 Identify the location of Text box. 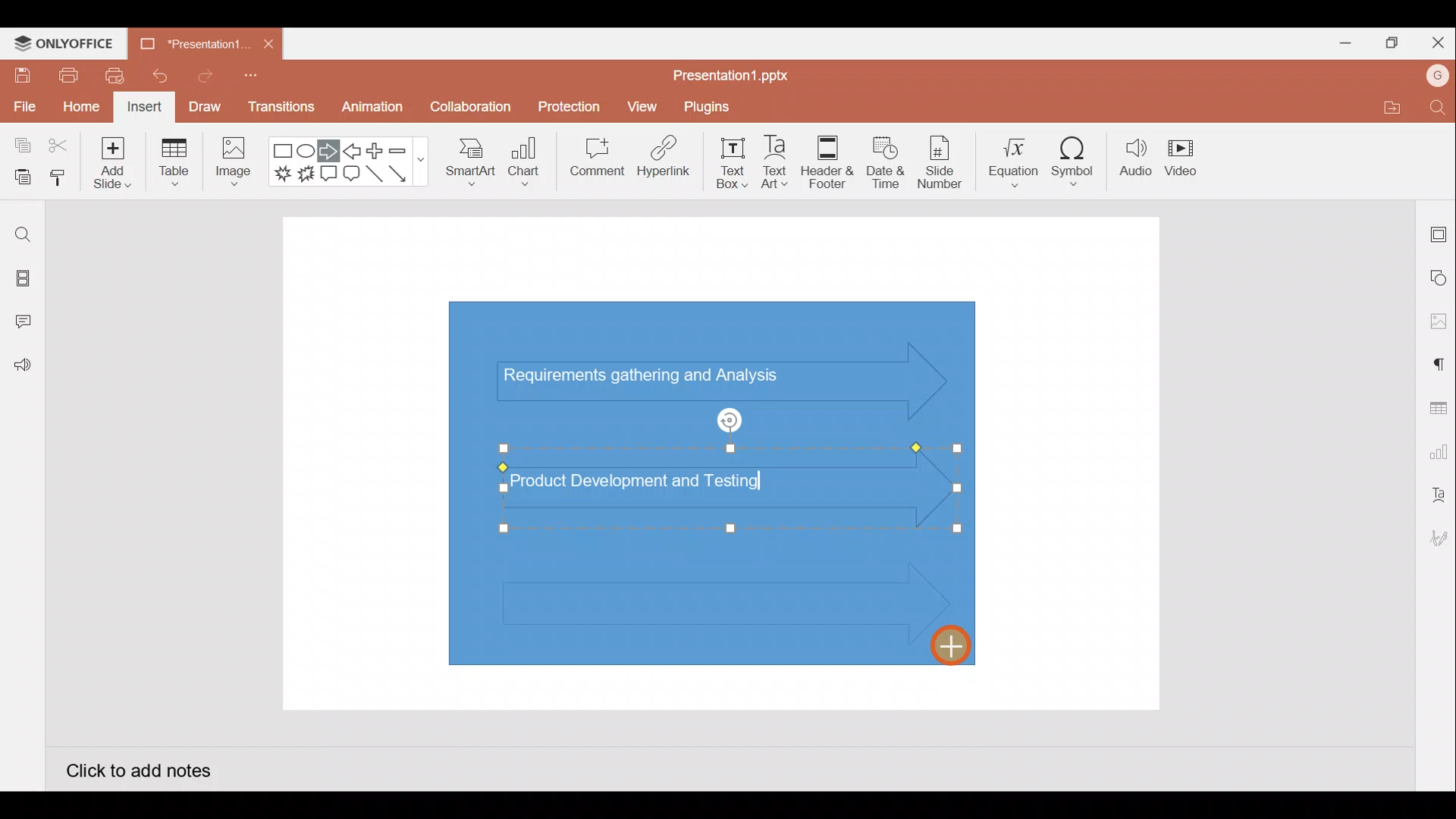
(733, 163).